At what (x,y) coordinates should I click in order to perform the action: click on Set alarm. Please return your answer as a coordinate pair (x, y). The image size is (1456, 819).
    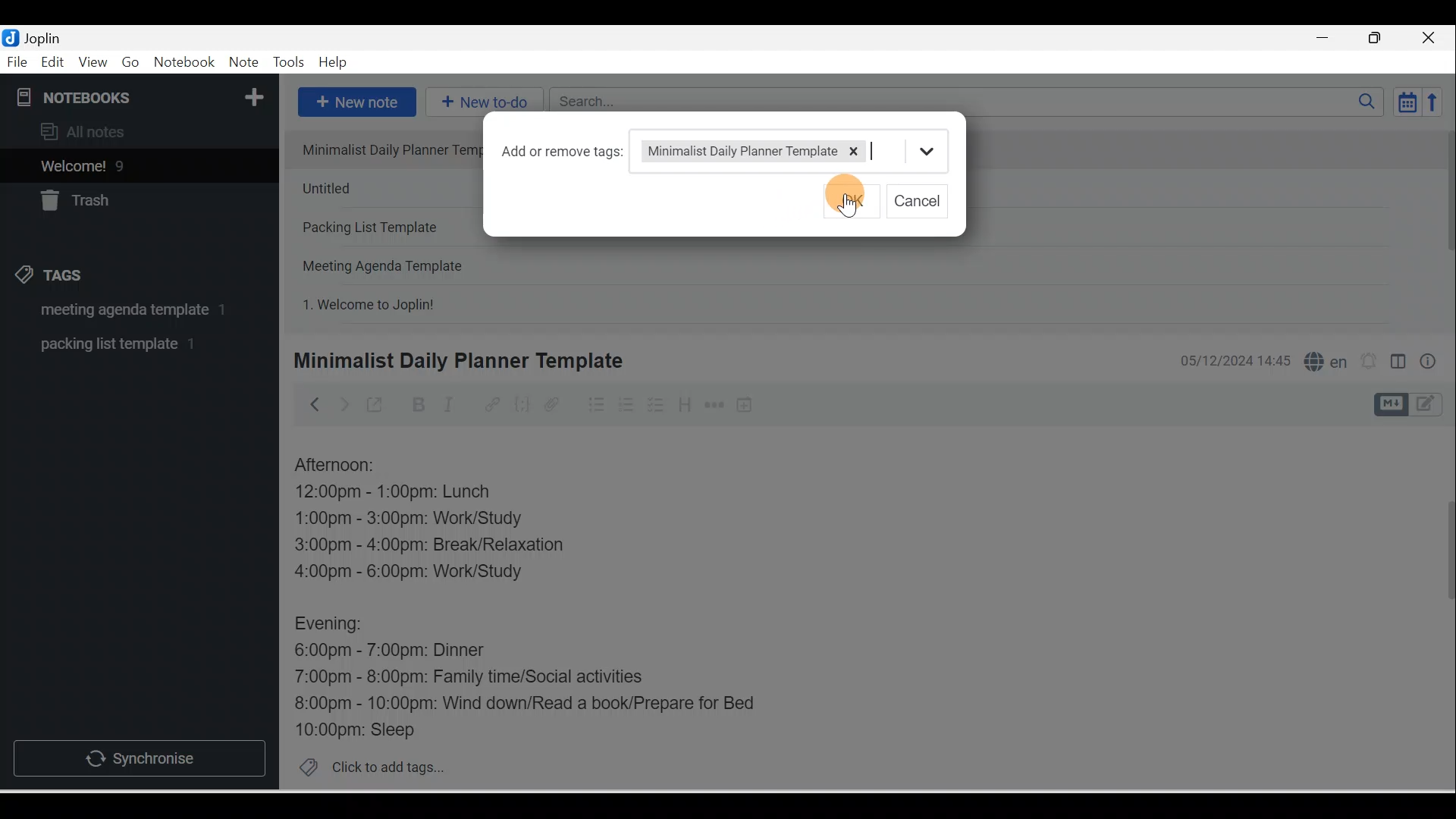
    Looking at the image, I should click on (1367, 362).